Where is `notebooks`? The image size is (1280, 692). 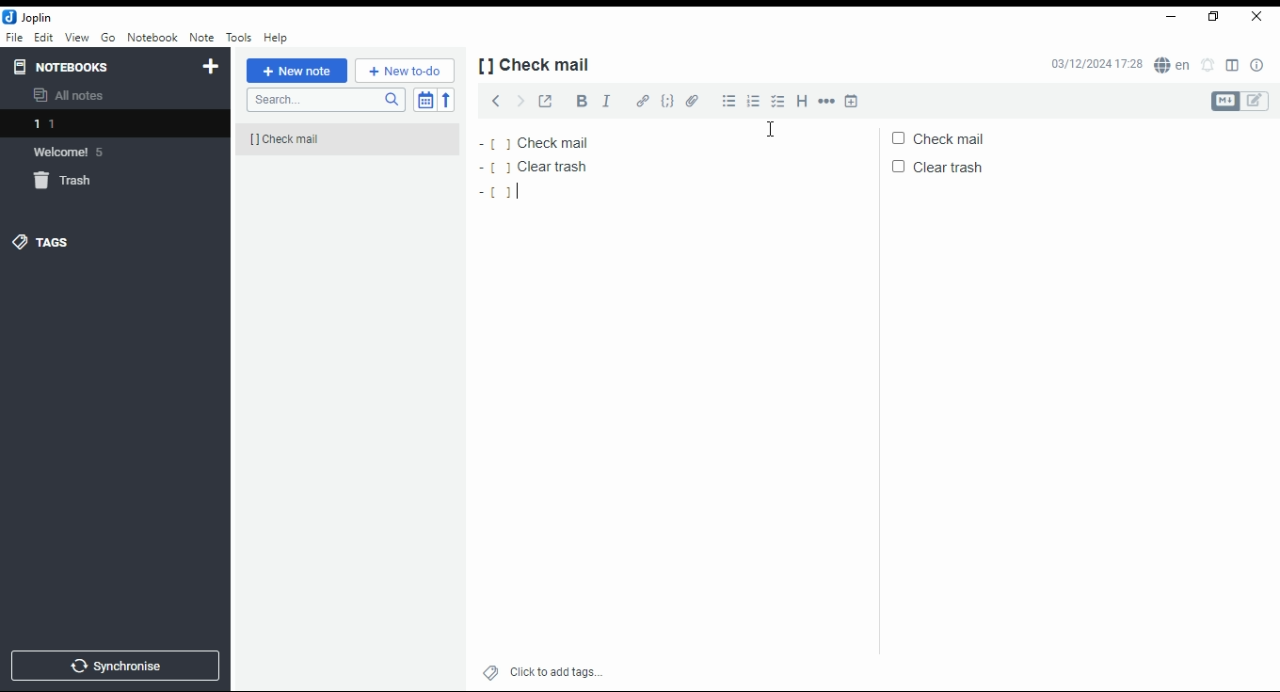 notebooks is located at coordinates (73, 67).